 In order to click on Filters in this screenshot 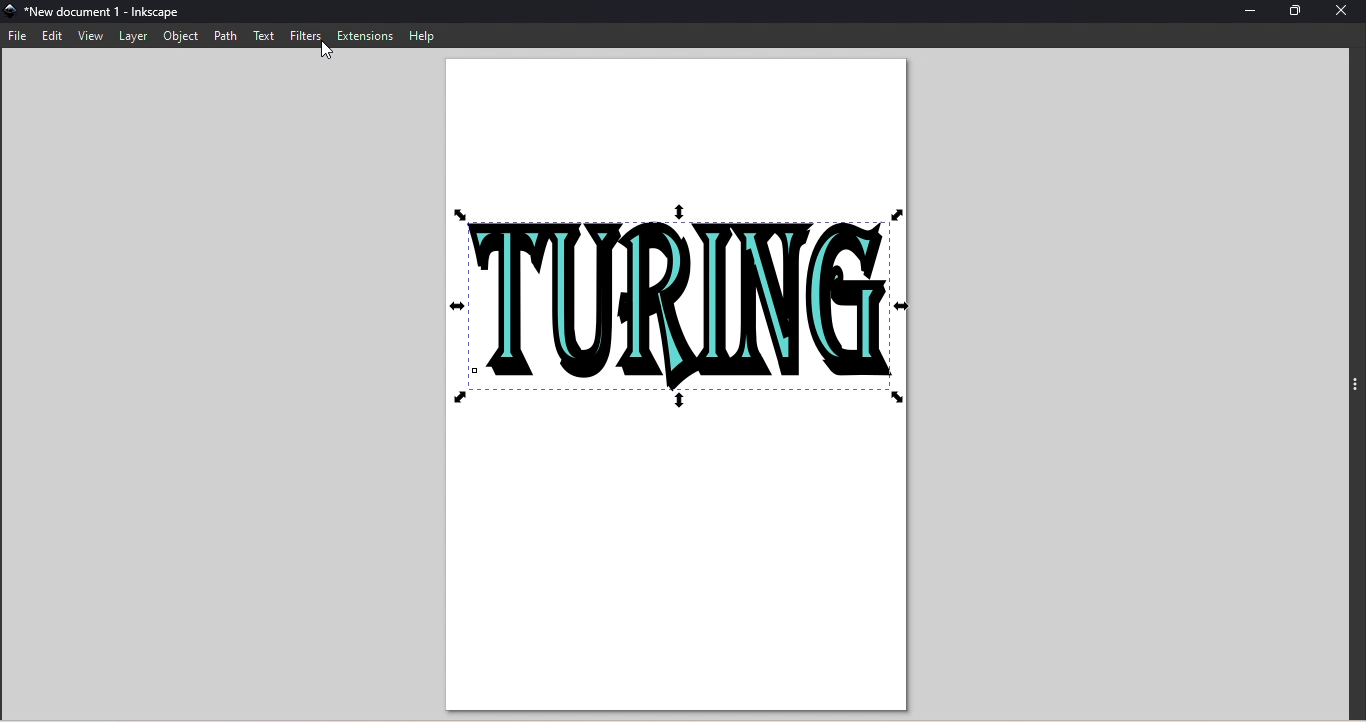, I will do `click(302, 36)`.